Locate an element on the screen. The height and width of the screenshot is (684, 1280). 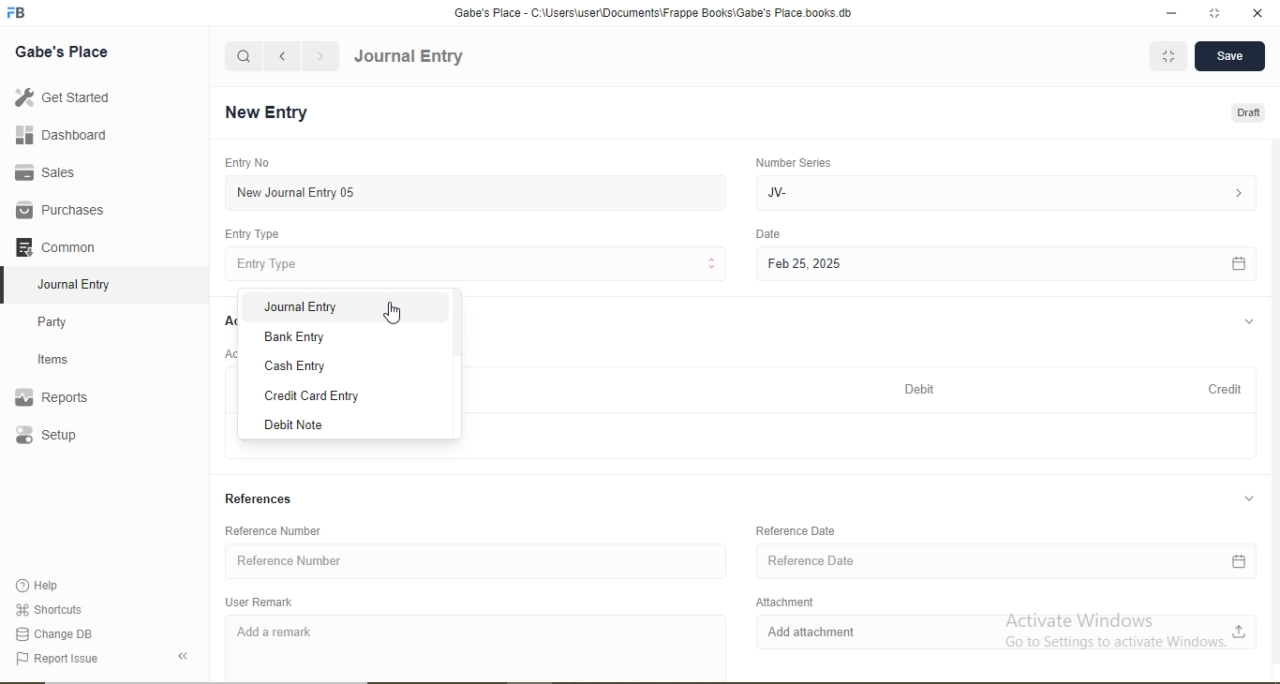
‘Shortcuts is located at coordinates (51, 608).